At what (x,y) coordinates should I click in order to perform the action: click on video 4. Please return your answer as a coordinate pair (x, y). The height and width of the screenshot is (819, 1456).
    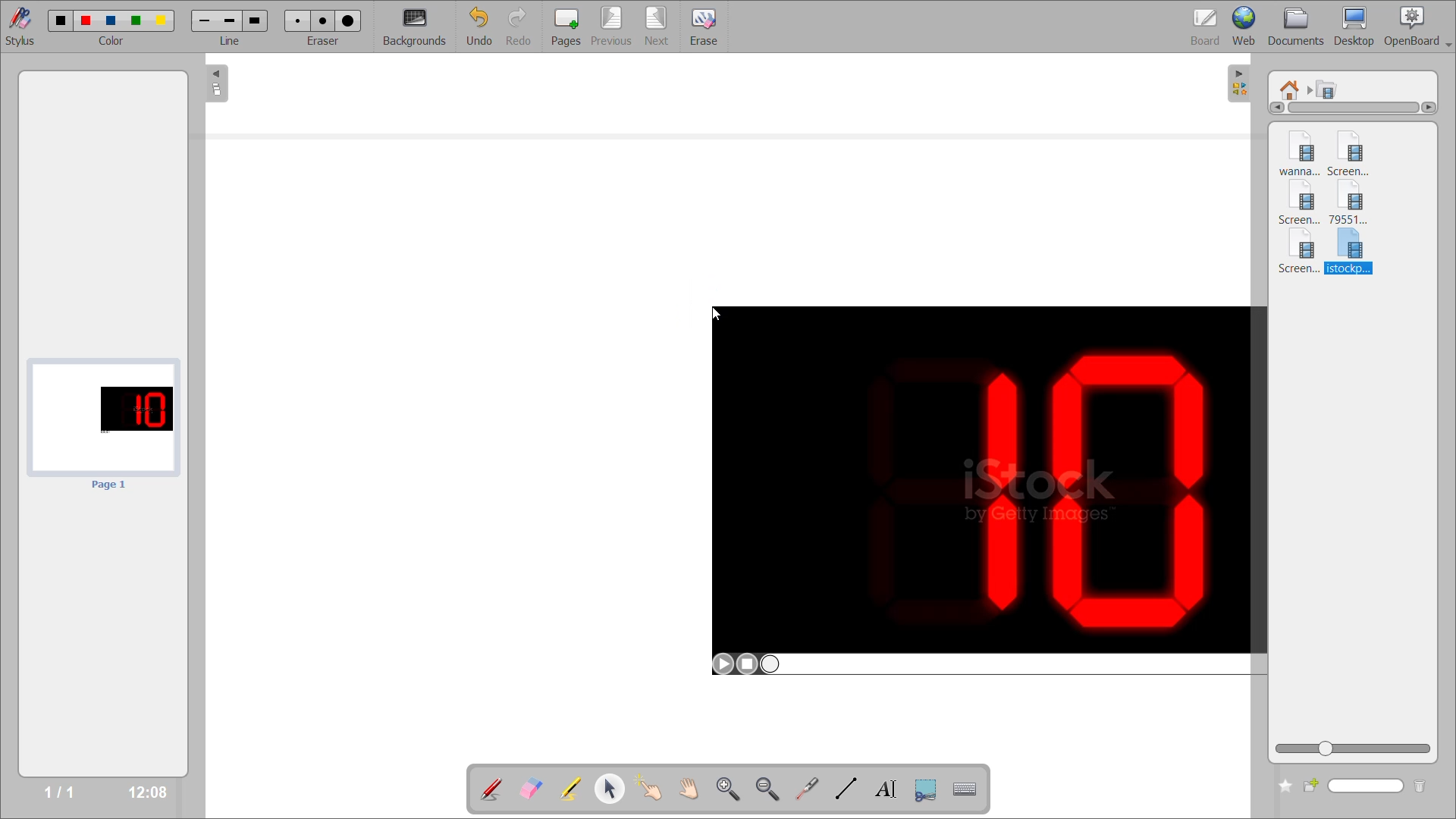
    Looking at the image, I should click on (1356, 202).